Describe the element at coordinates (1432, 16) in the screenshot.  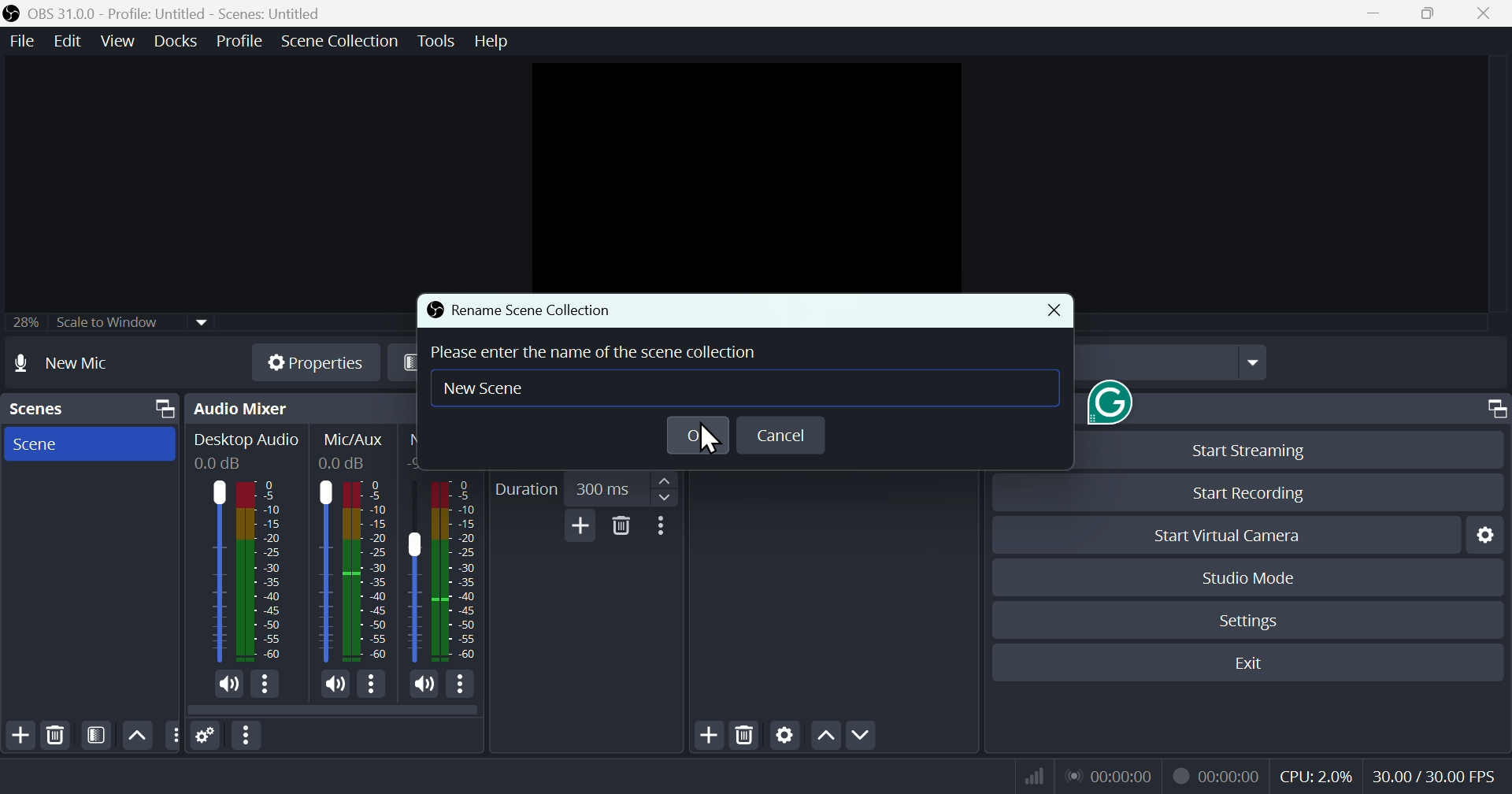
I see `Maximise` at that location.